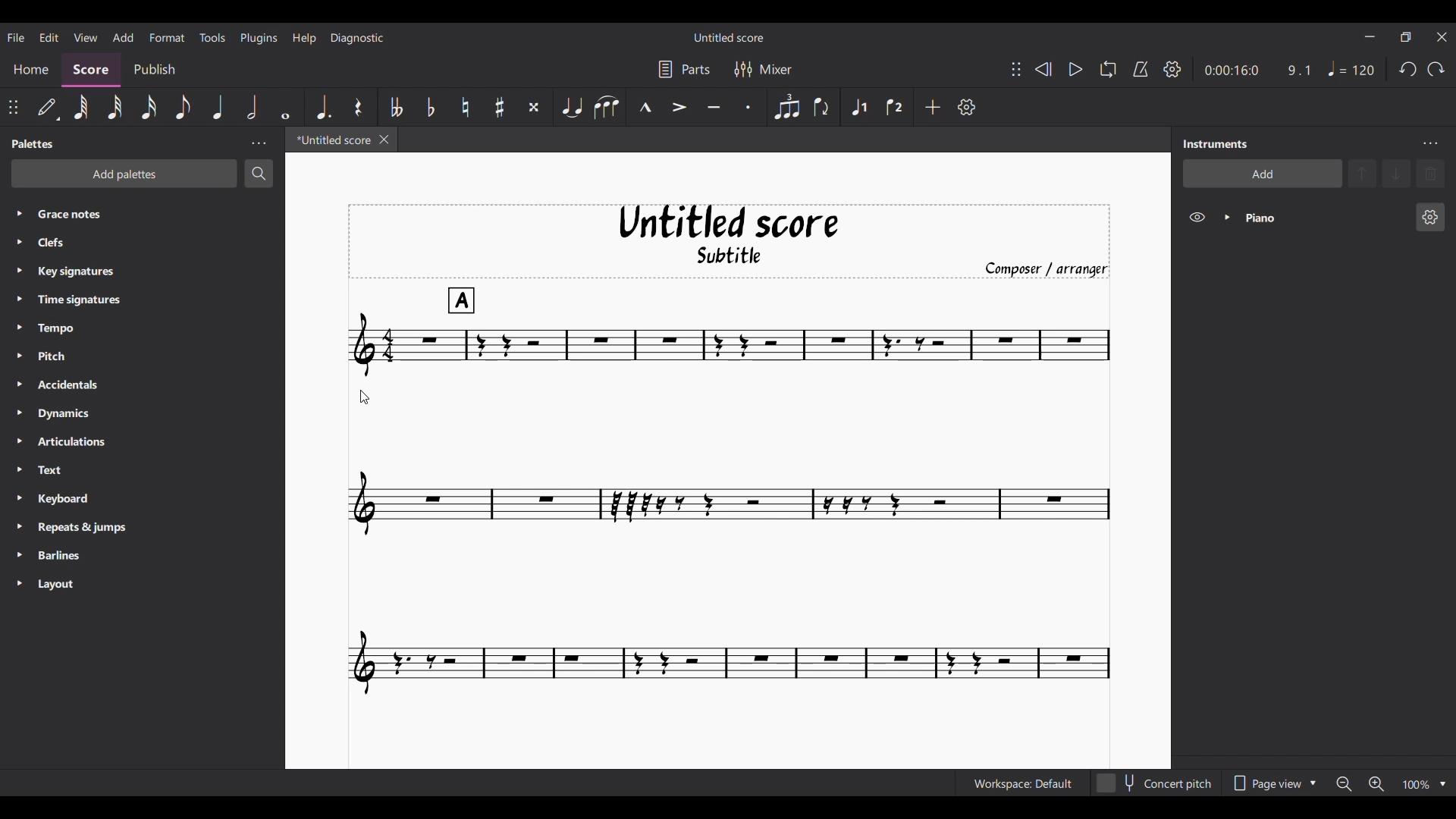  I want to click on Minimize, so click(1369, 36).